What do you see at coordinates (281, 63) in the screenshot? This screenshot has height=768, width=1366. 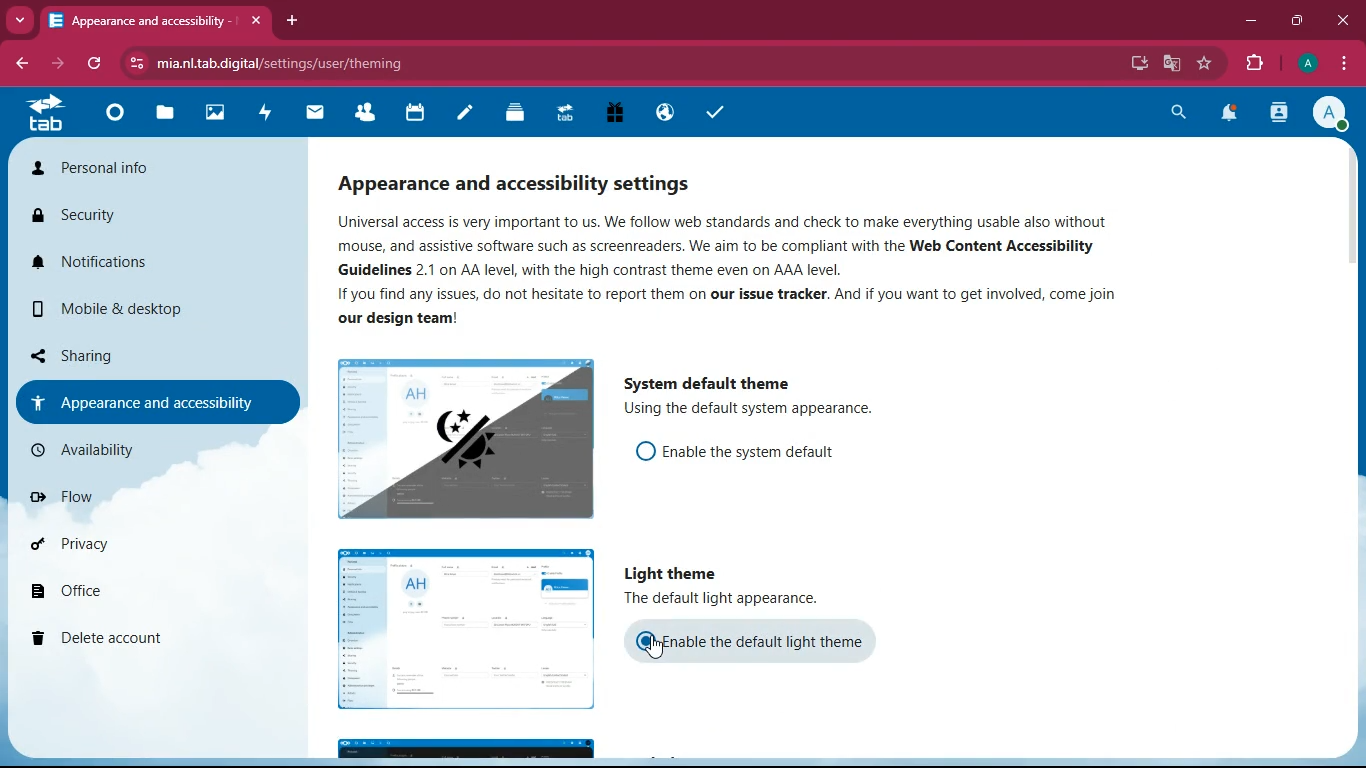 I see `url` at bounding box center [281, 63].